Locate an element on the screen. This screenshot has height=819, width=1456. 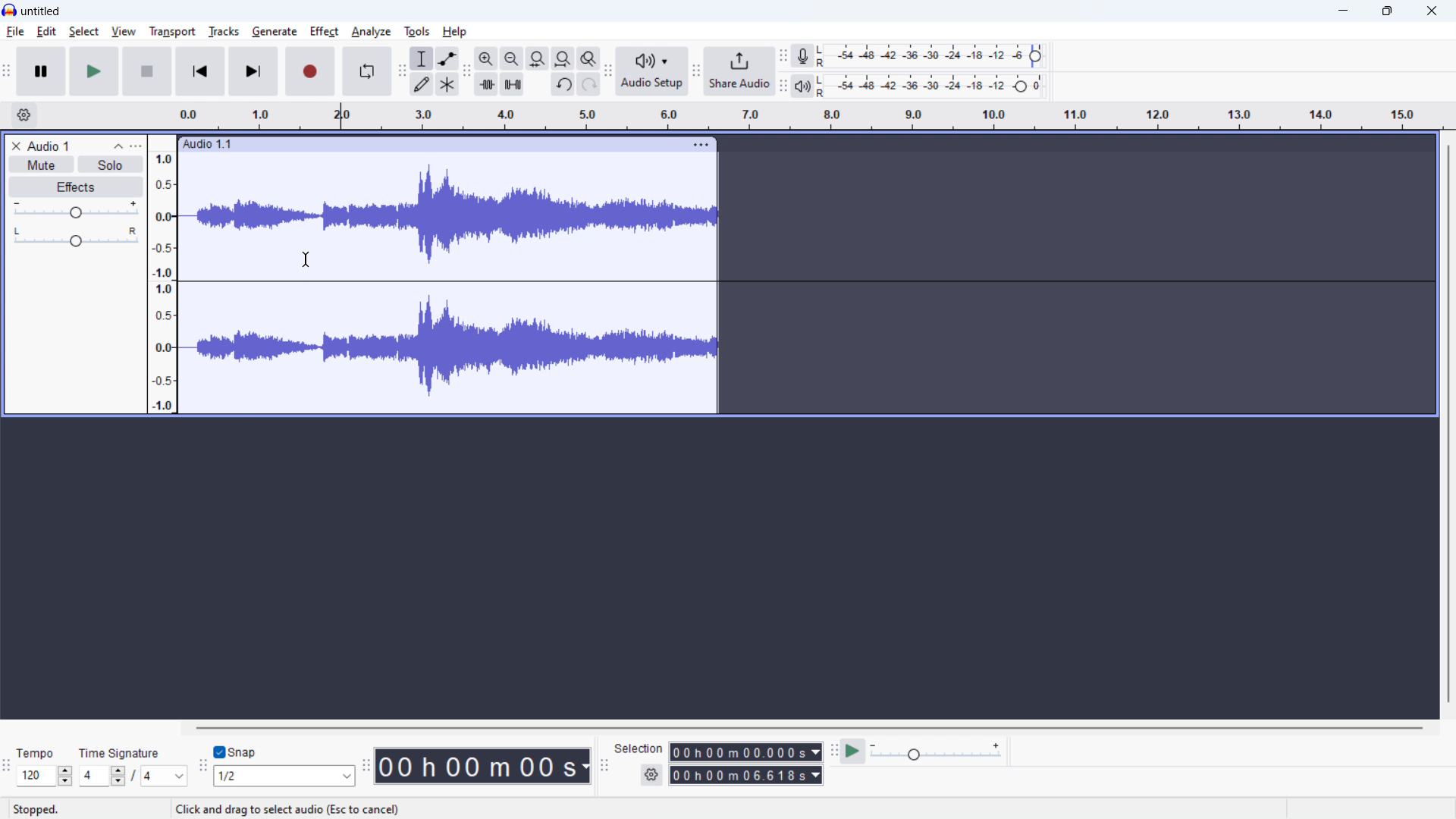
title is located at coordinates (41, 11).